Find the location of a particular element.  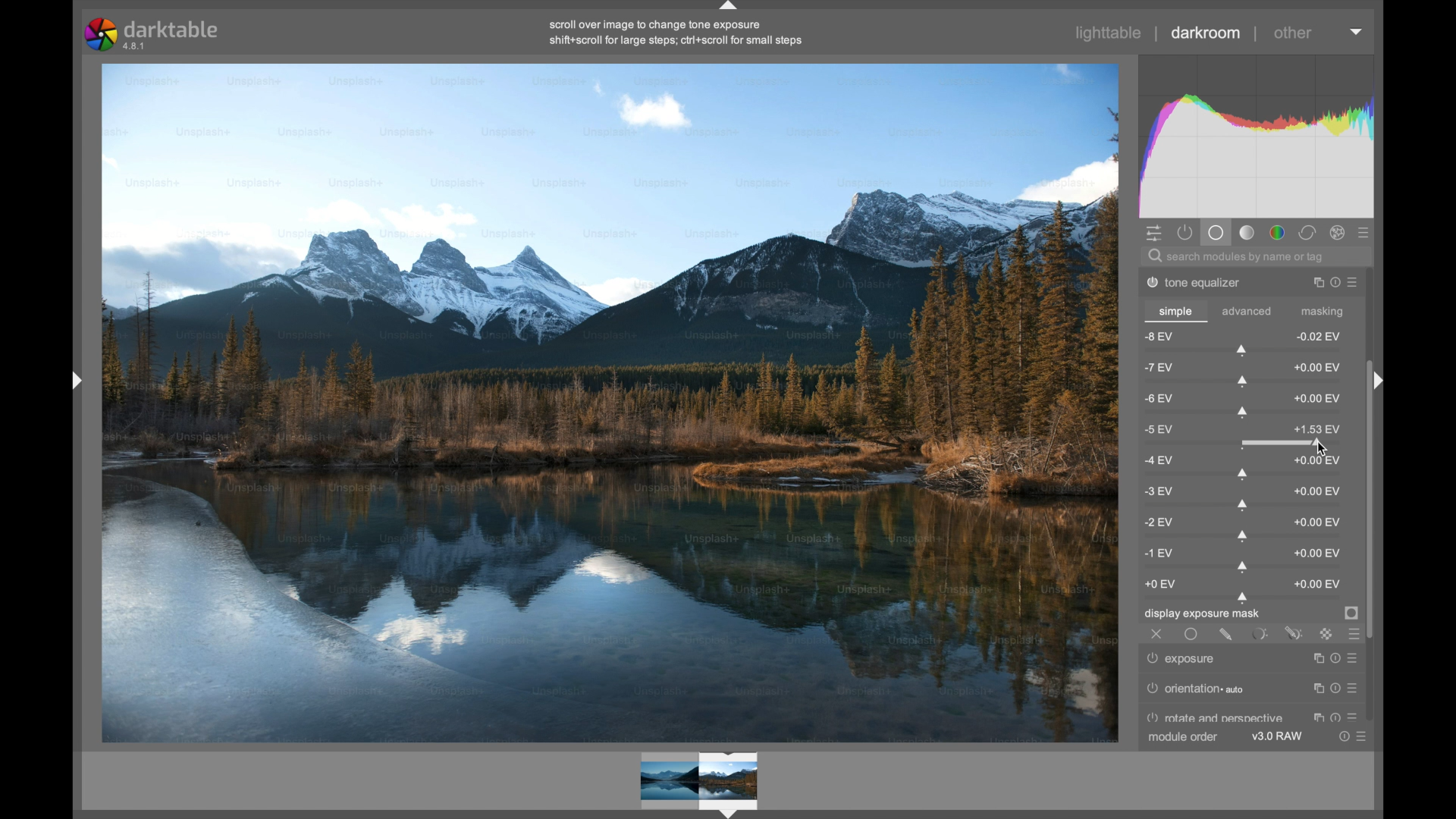

slider is located at coordinates (1242, 507).